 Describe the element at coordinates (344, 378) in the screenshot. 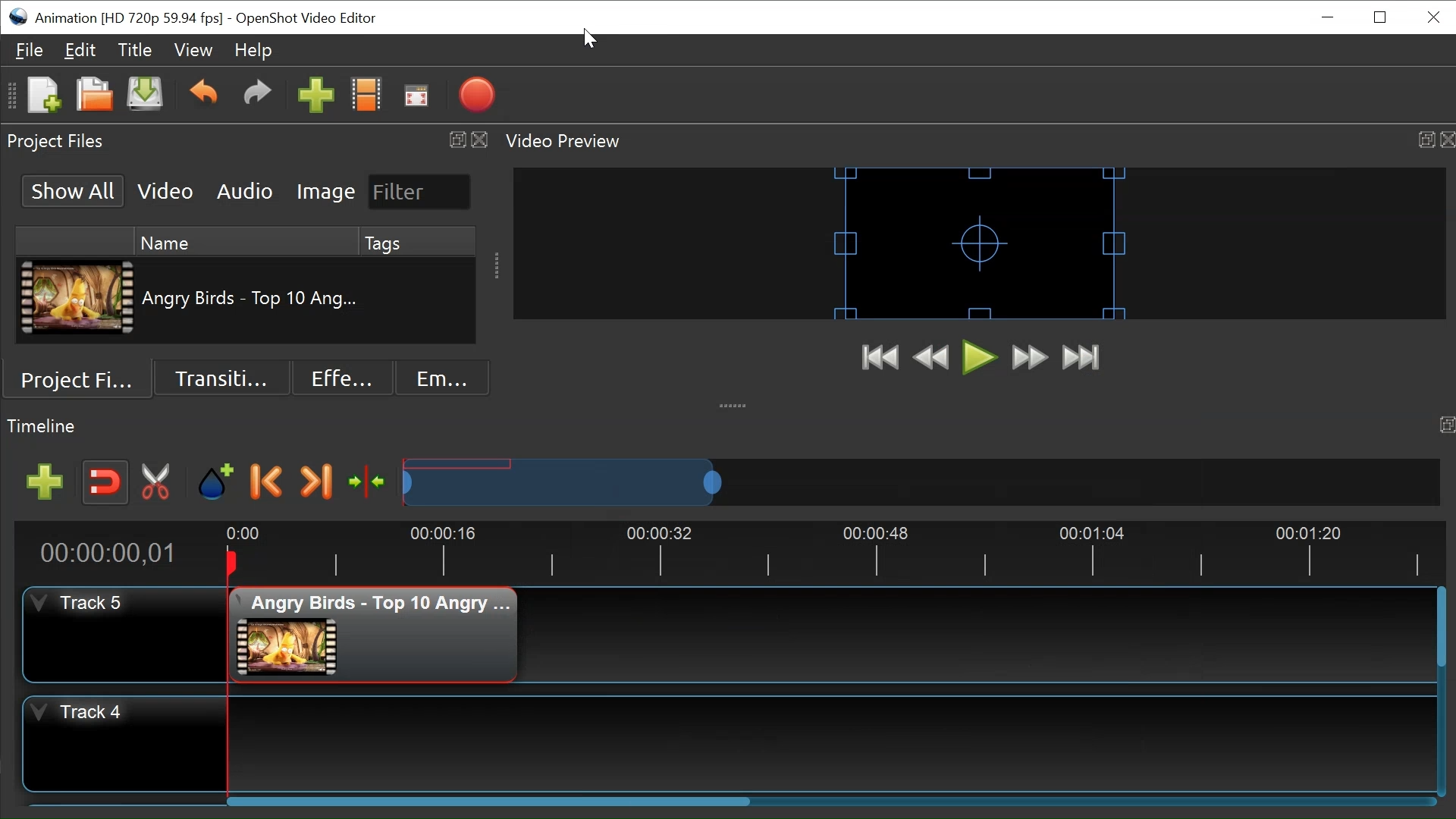

I see `Effects` at that location.